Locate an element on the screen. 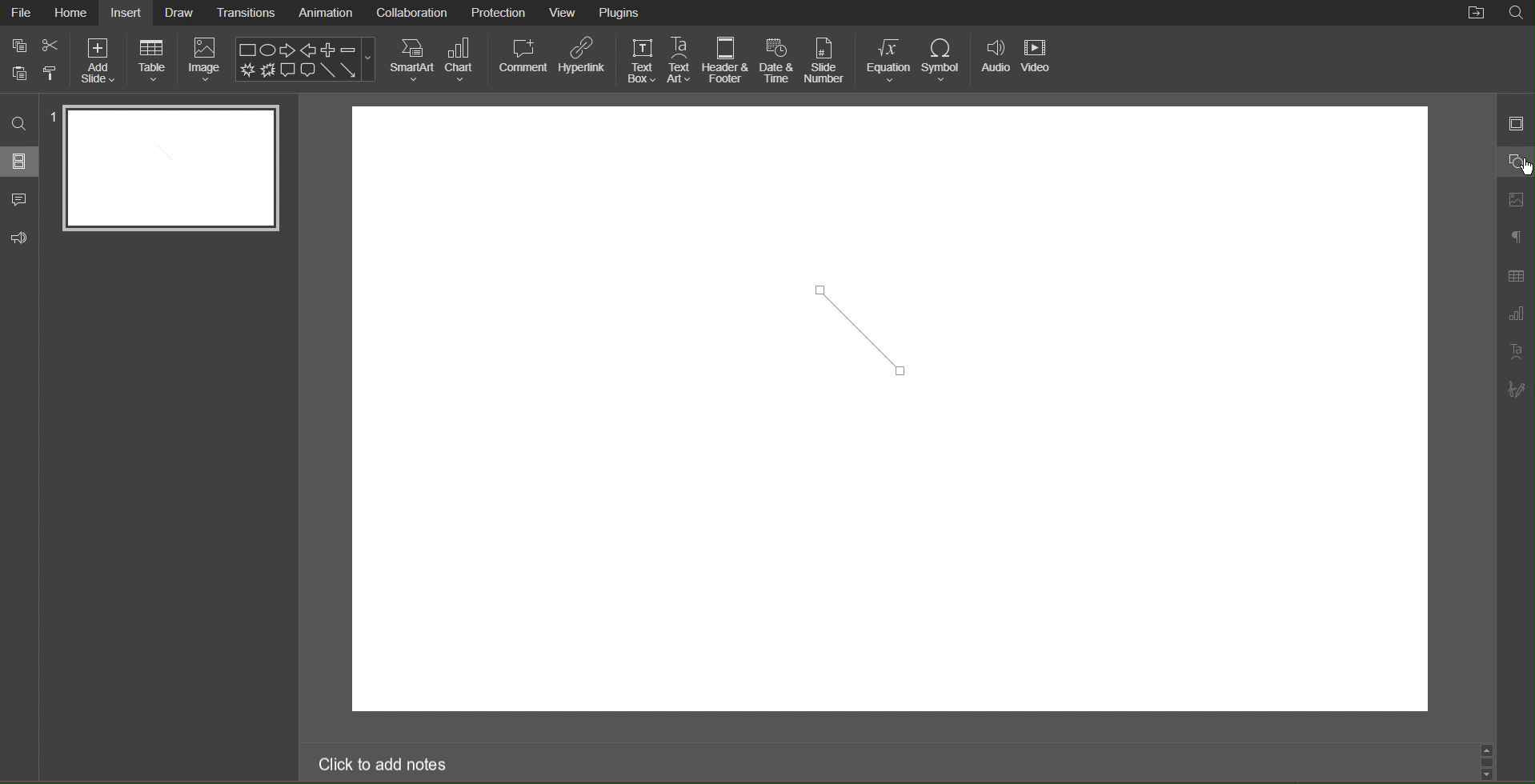 Image resolution: width=1535 pixels, height=784 pixels. Feedback and Support is located at coordinates (19, 238).